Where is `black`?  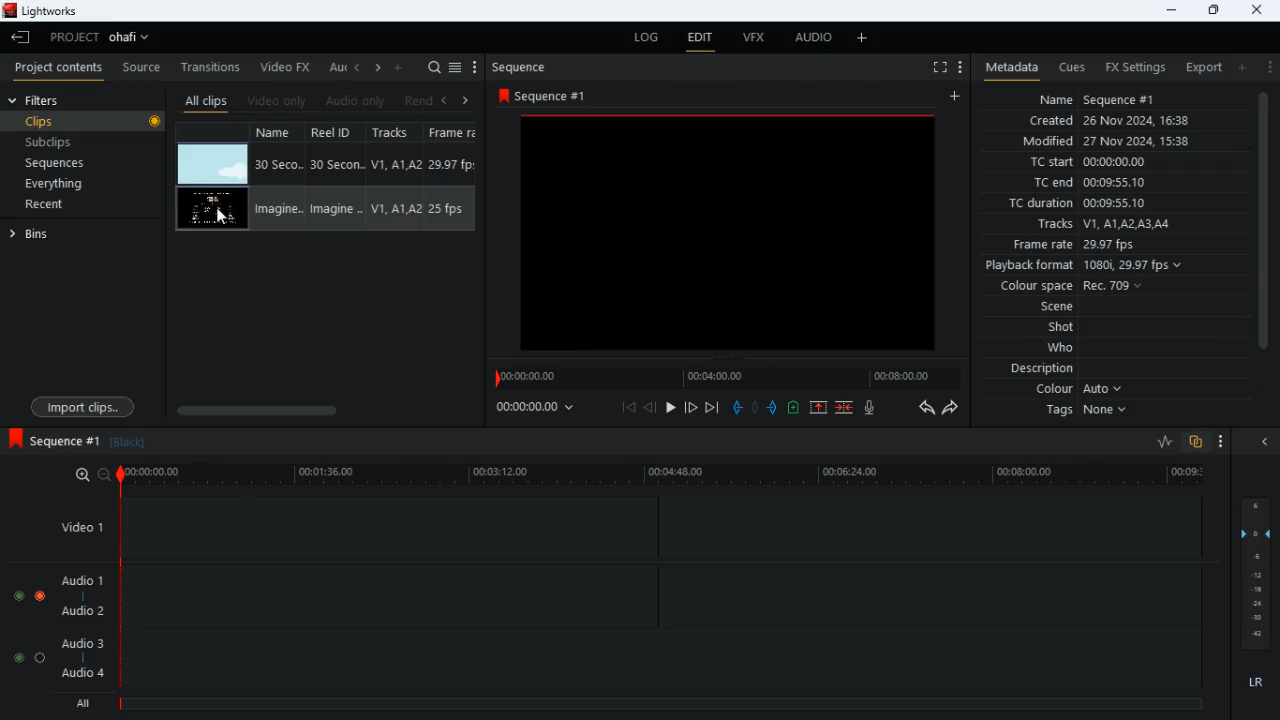
black is located at coordinates (136, 440).